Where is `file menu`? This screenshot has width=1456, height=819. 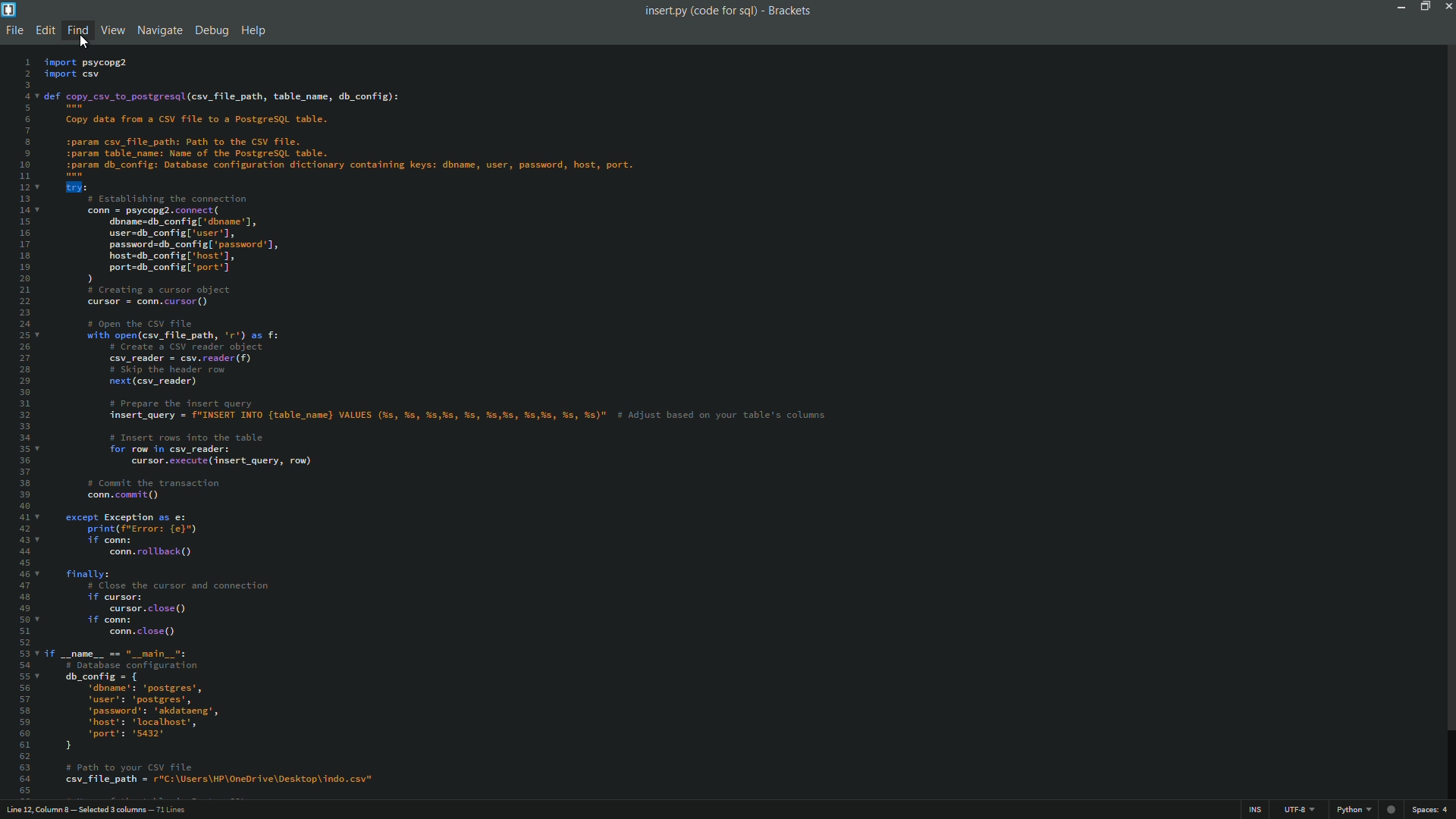 file menu is located at coordinates (12, 32).